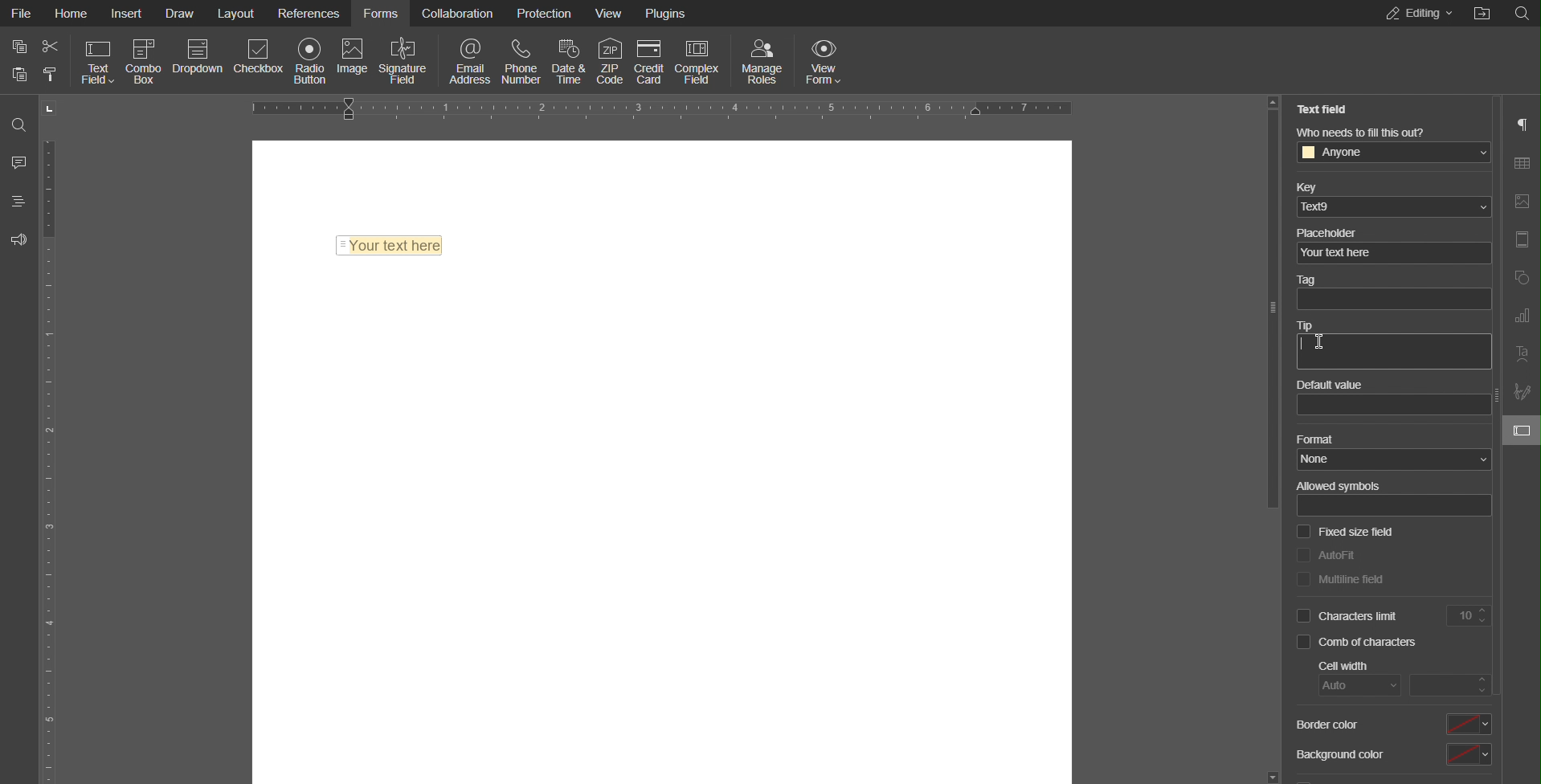 This screenshot has width=1541, height=784. I want to click on select background color, so click(1470, 753).